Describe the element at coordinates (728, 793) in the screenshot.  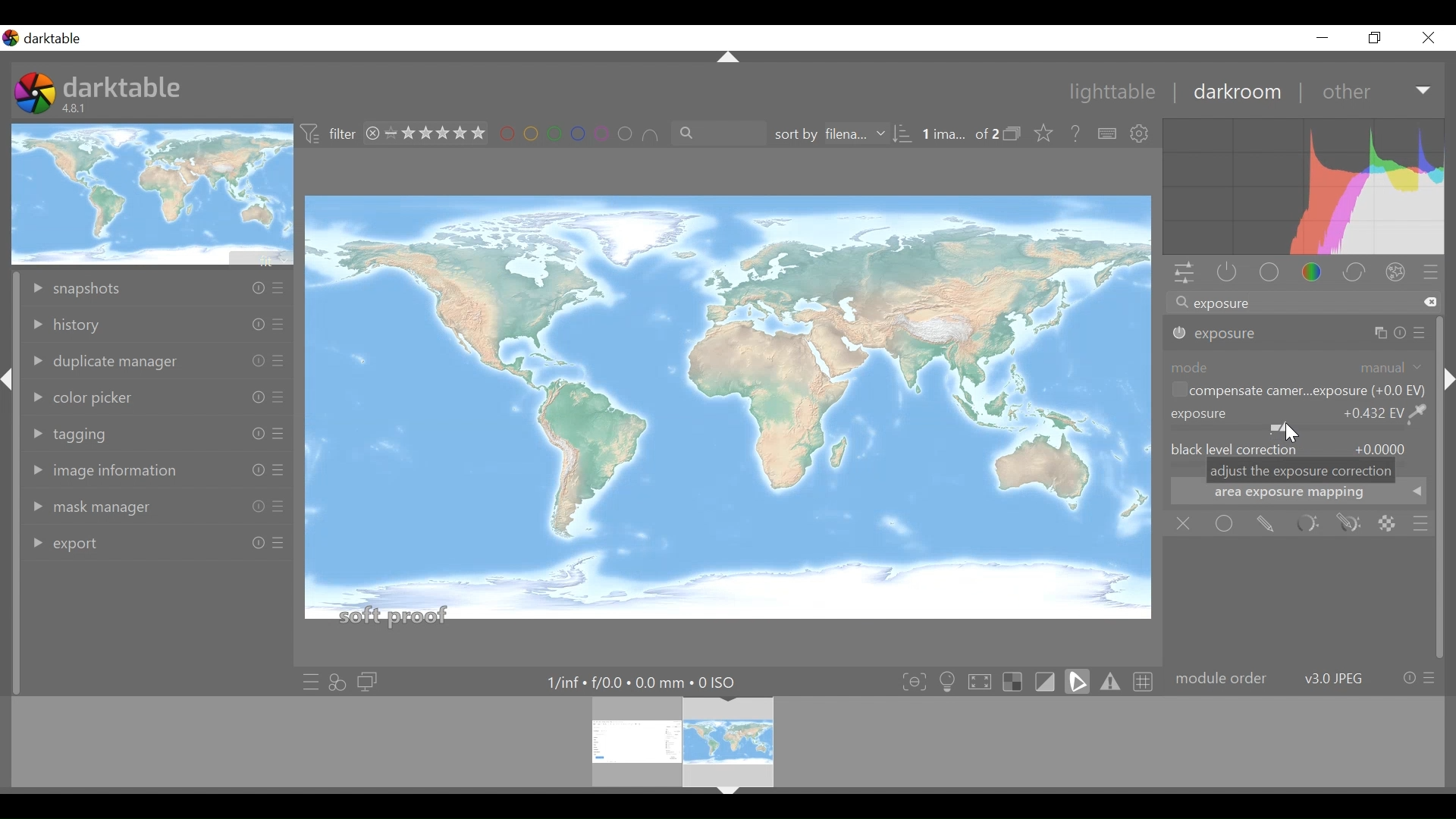
I see `` at that location.